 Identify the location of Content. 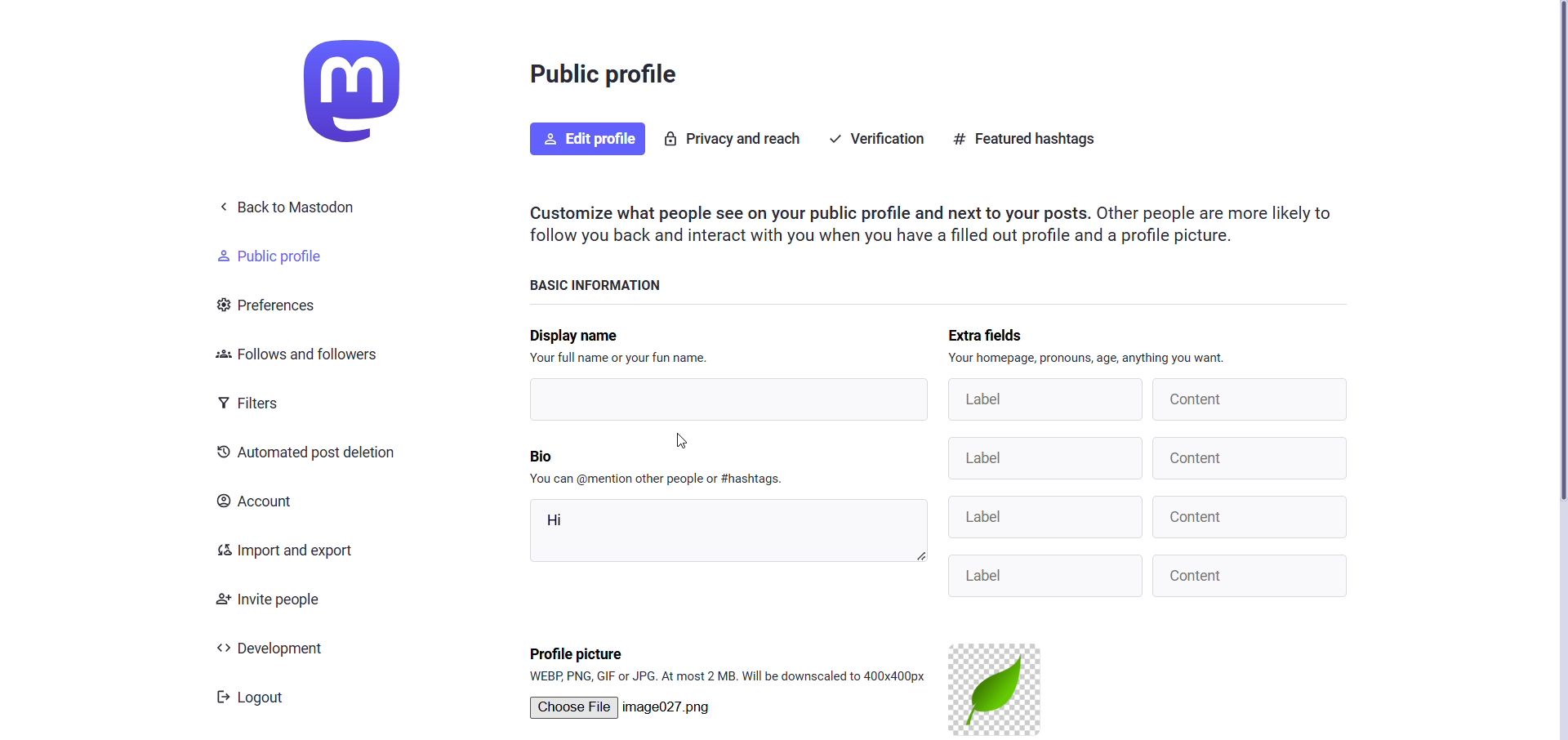
(1251, 575).